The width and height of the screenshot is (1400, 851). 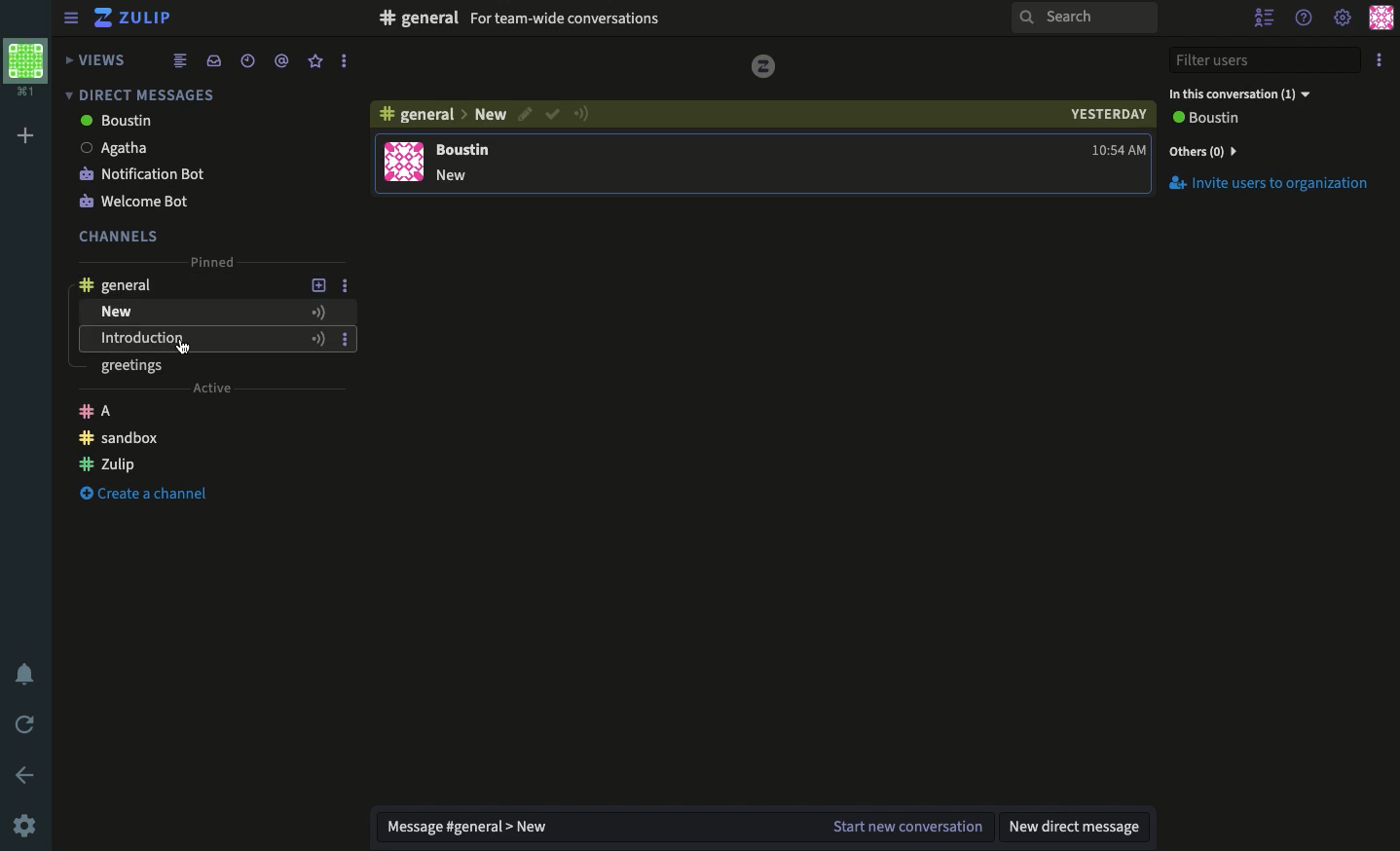 What do you see at coordinates (1104, 114) in the screenshot?
I see `date` at bounding box center [1104, 114].